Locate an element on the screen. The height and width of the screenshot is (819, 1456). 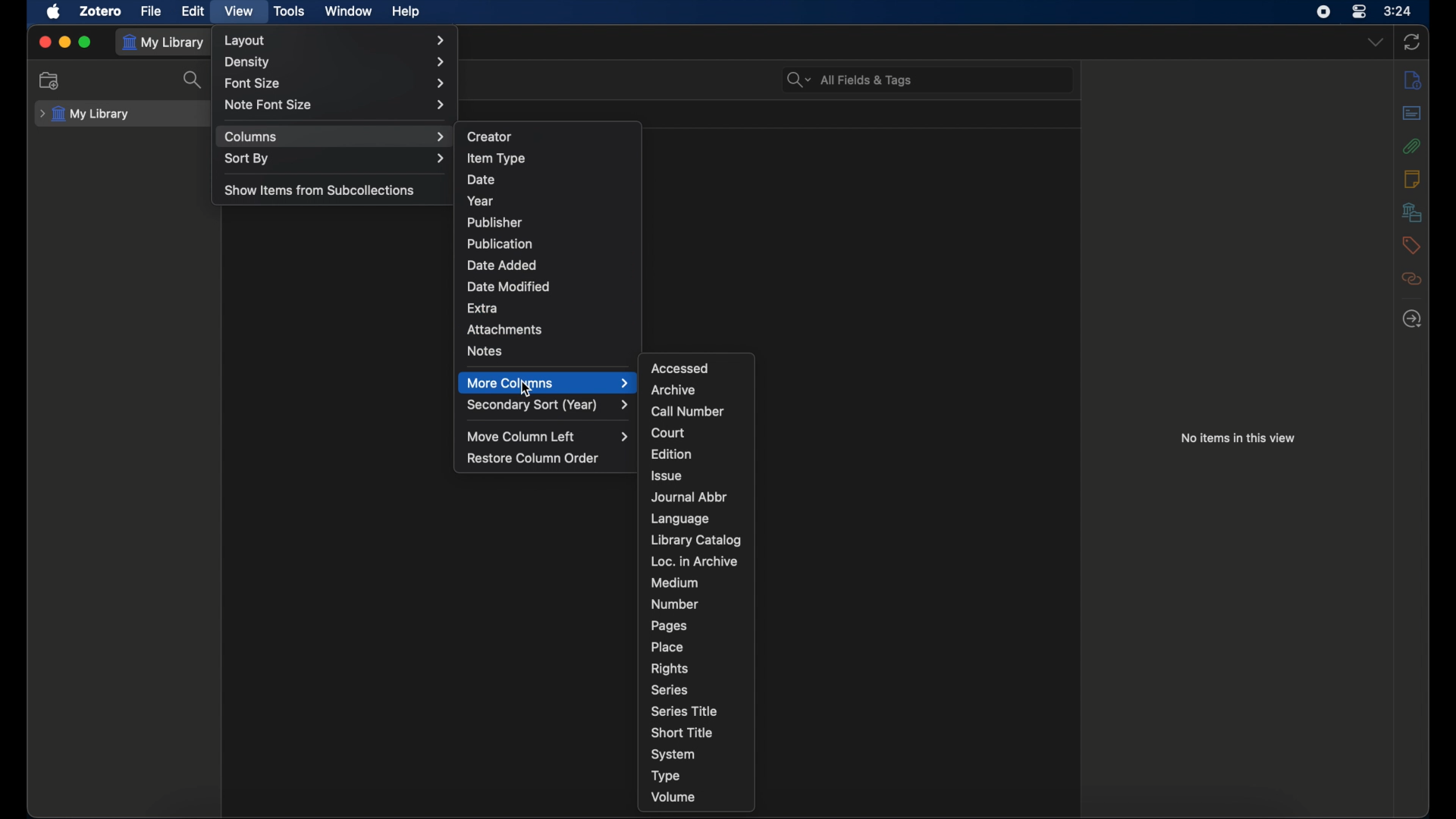
help is located at coordinates (405, 12).